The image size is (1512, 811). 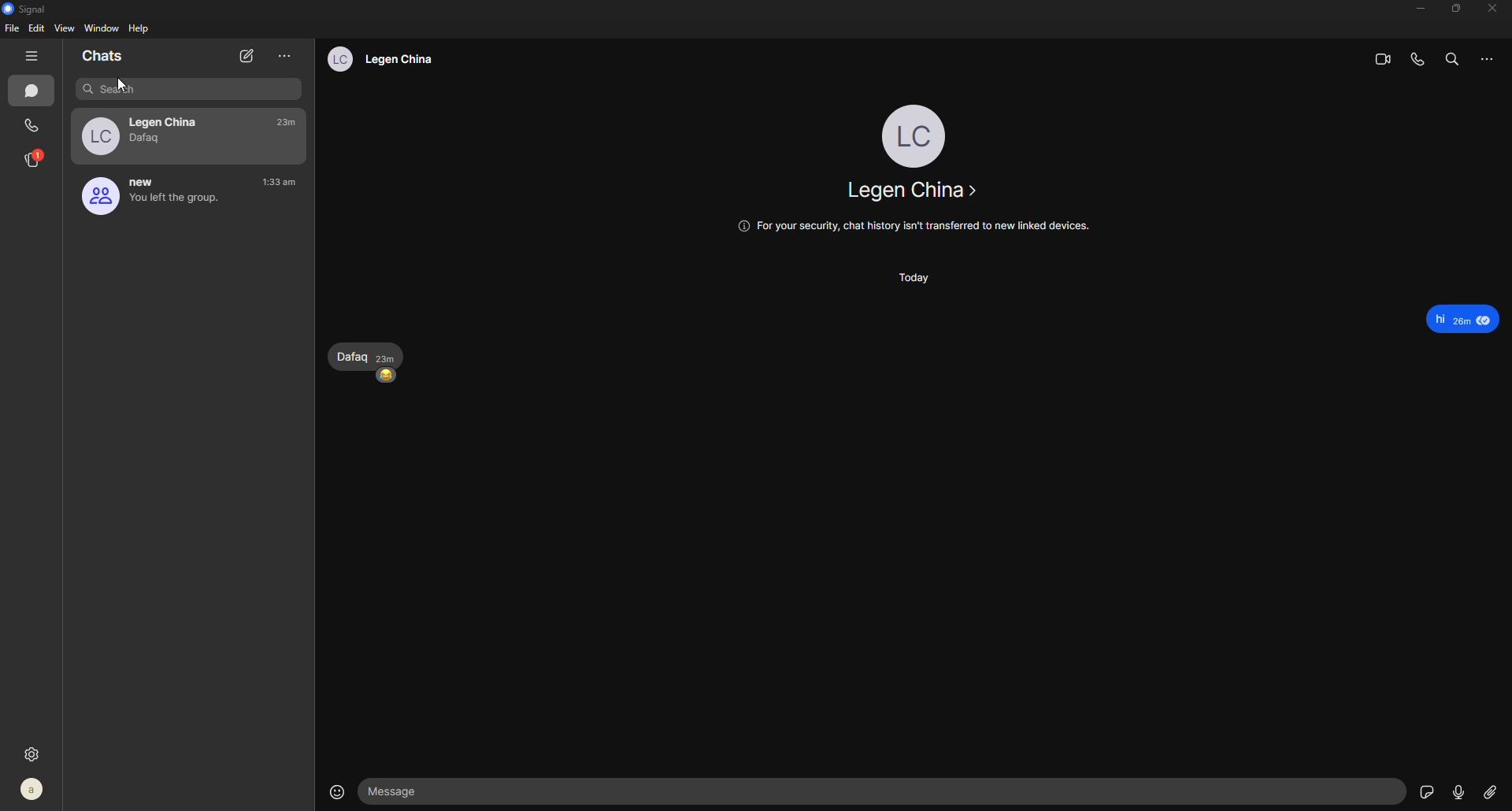 What do you see at coordinates (1458, 792) in the screenshot?
I see `record` at bounding box center [1458, 792].